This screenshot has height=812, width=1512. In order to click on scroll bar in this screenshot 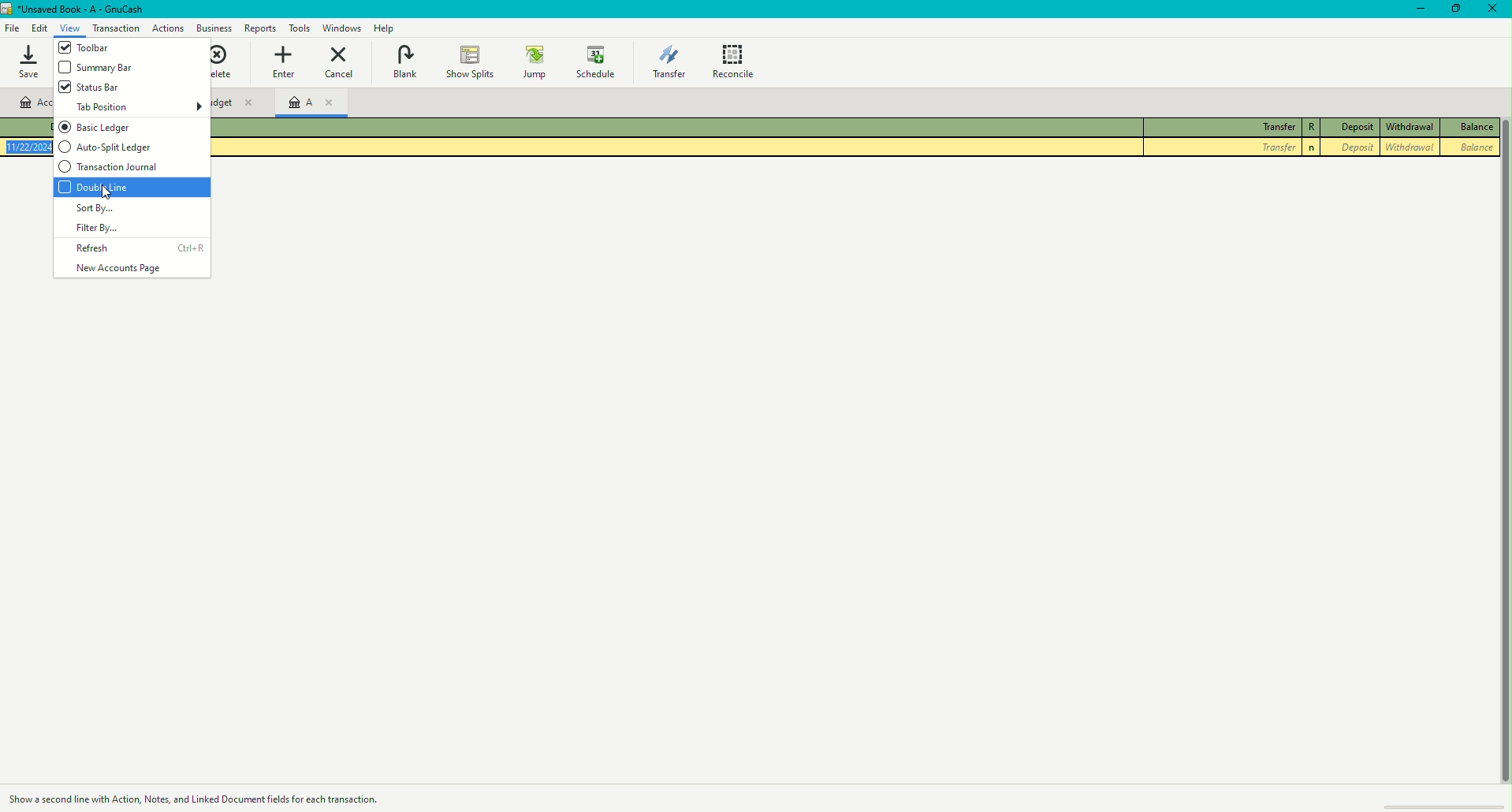, I will do `click(1502, 471)`.